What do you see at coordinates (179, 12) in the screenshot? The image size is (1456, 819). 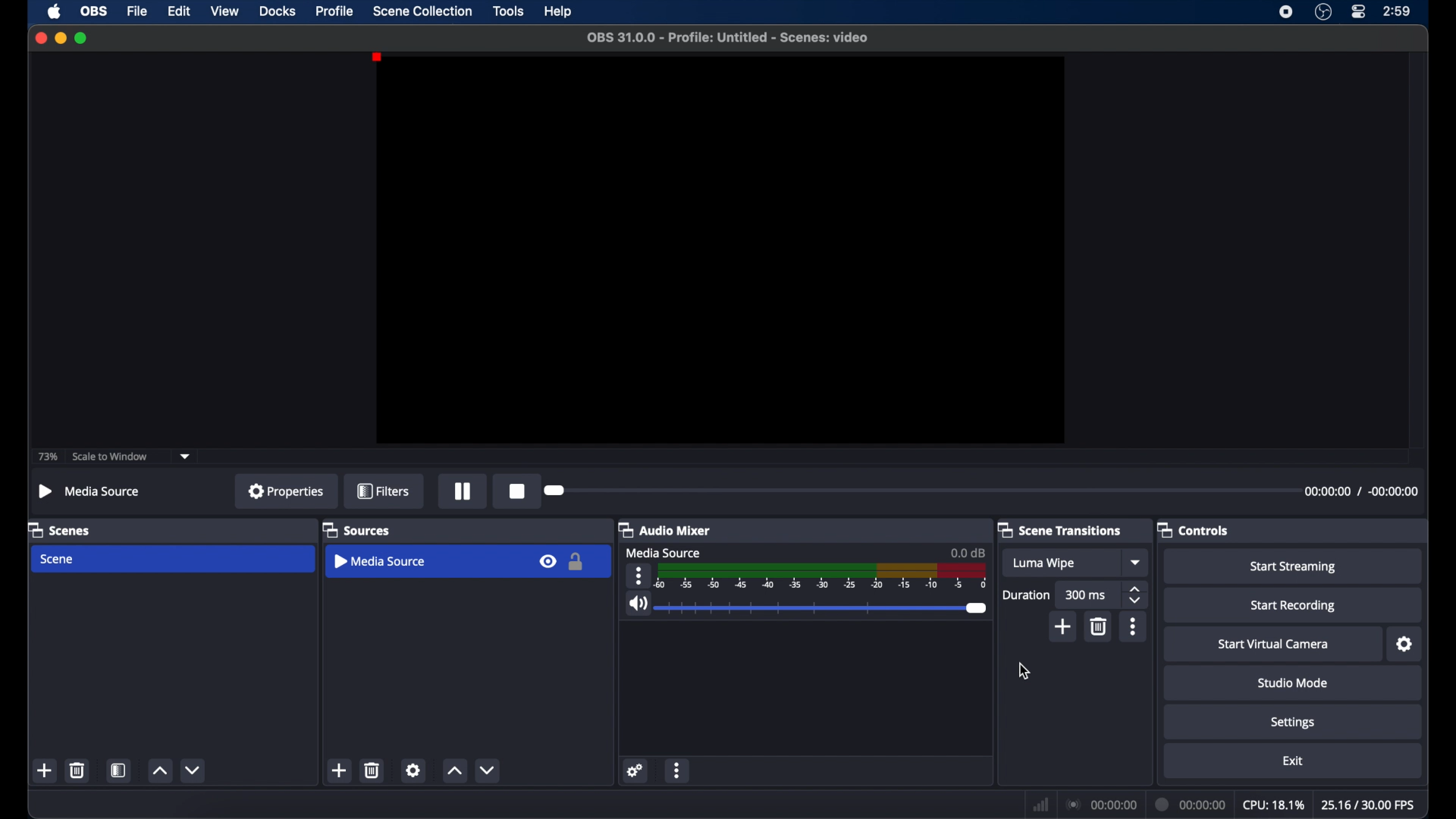 I see `edit` at bounding box center [179, 12].